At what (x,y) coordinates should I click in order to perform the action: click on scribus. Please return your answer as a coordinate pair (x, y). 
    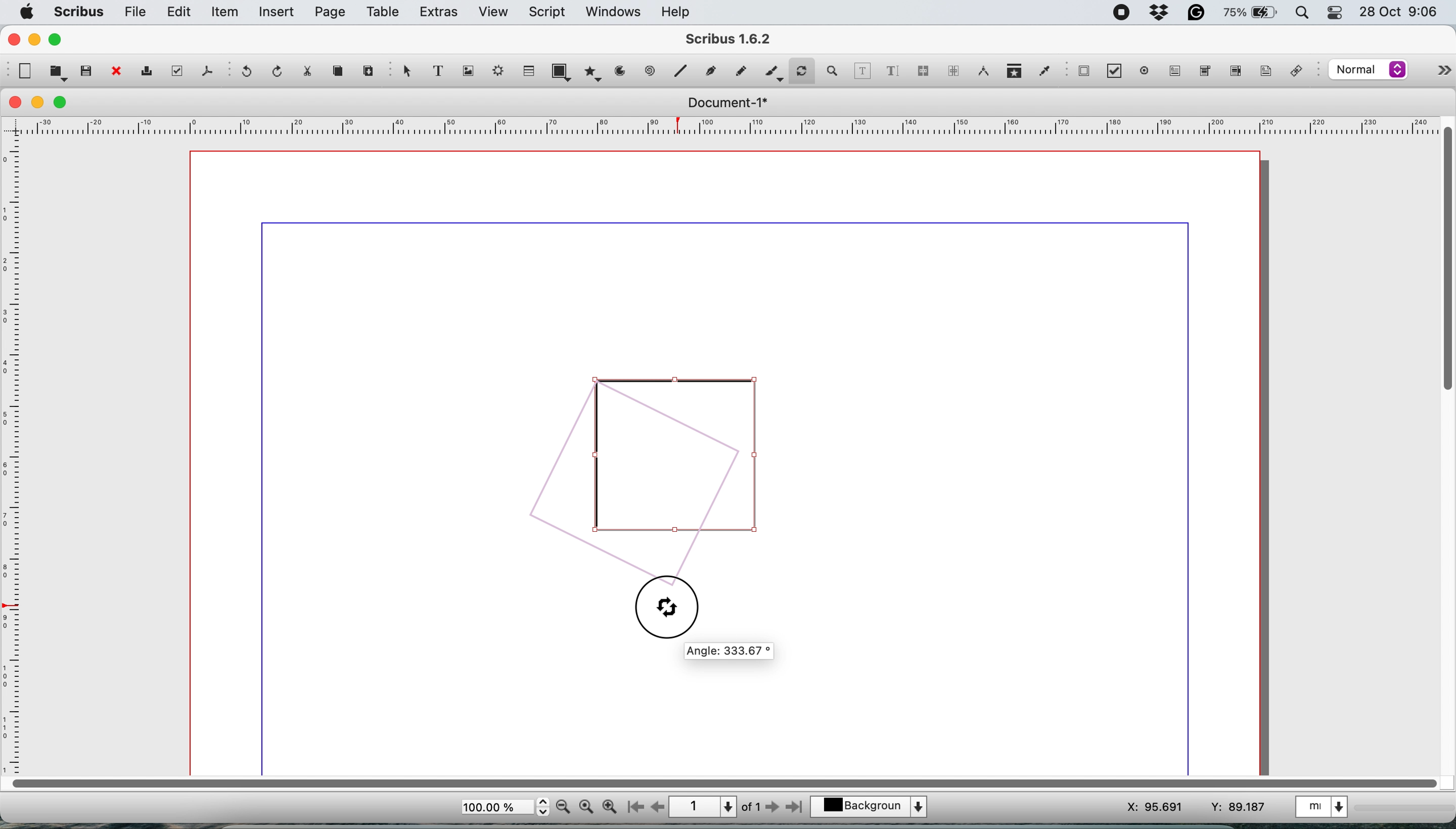
    Looking at the image, I should click on (79, 12).